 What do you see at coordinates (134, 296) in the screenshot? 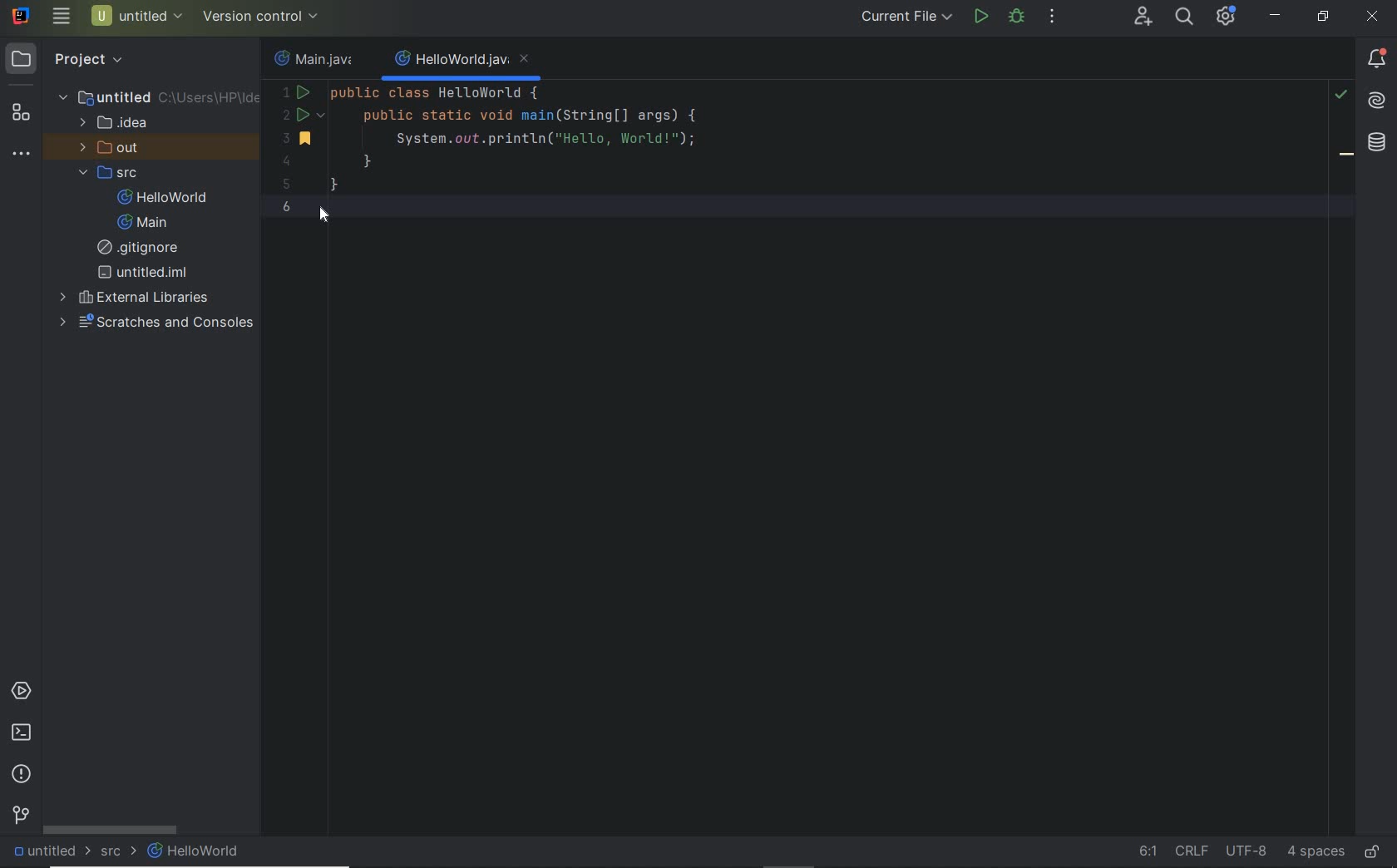
I see `external Libraries` at bounding box center [134, 296].